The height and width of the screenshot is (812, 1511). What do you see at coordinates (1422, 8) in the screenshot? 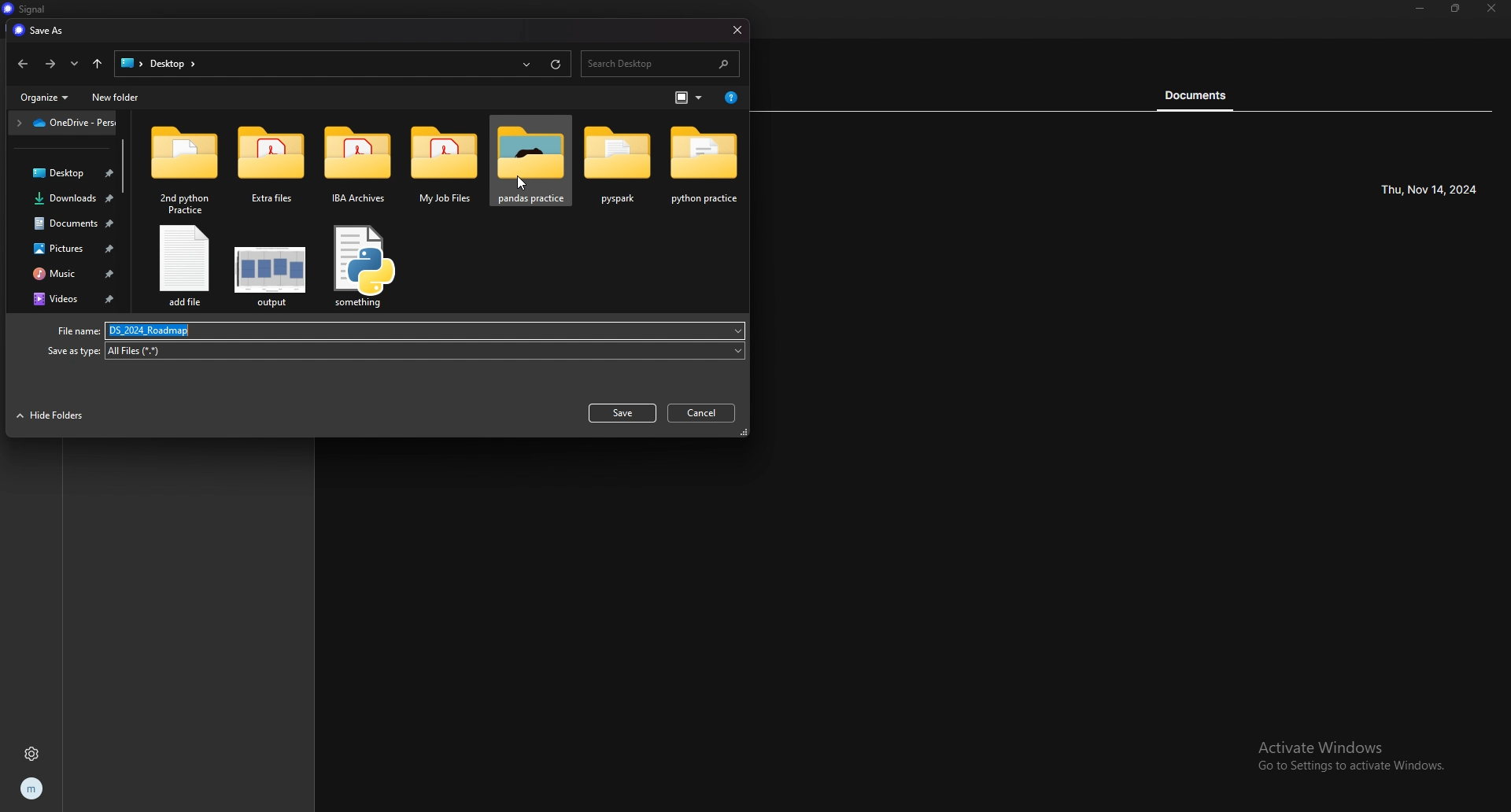
I see `minimize` at bounding box center [1422, 8].